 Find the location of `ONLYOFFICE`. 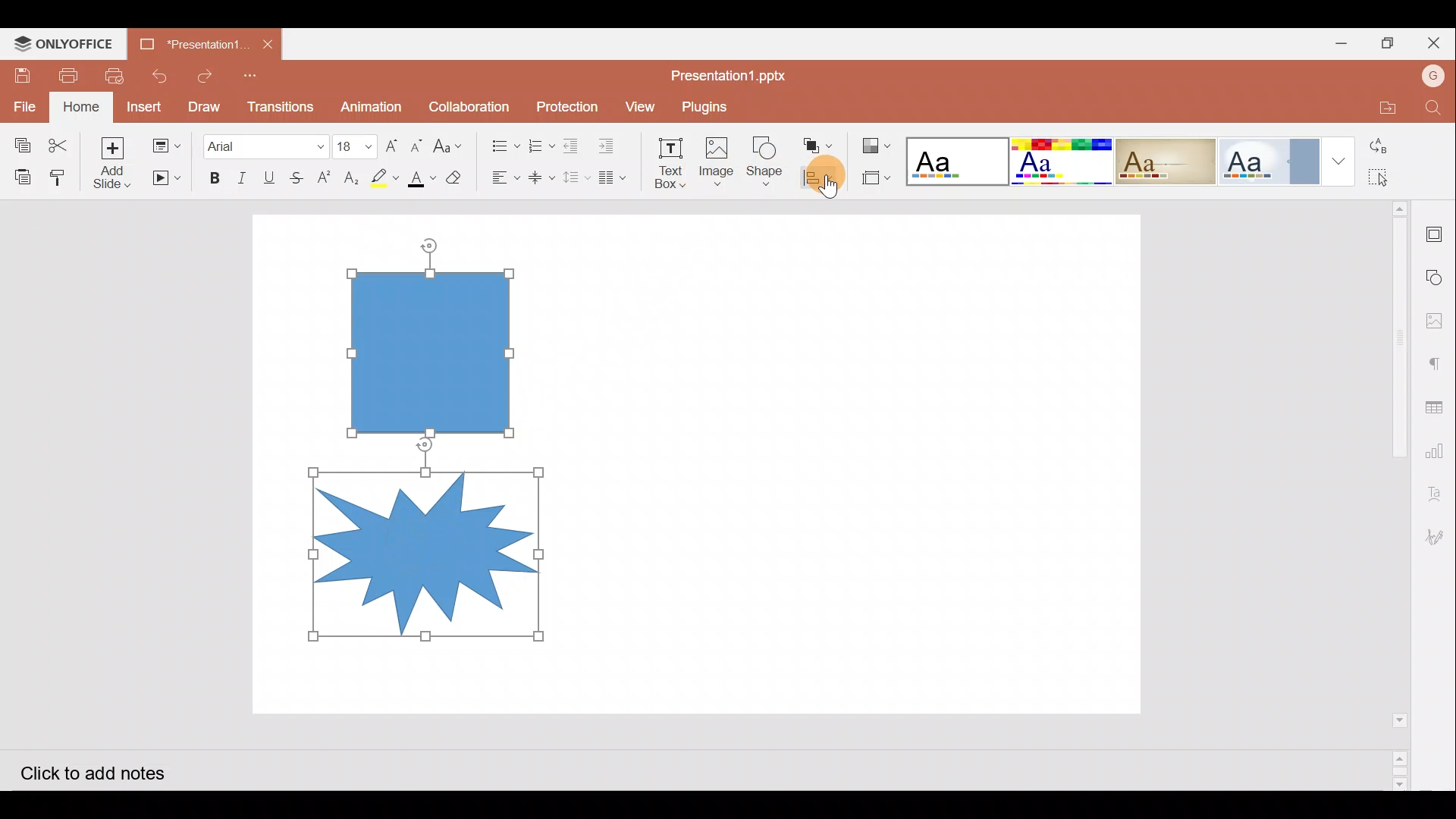

ONLYOFFICE is located at coordinates (67, 42).